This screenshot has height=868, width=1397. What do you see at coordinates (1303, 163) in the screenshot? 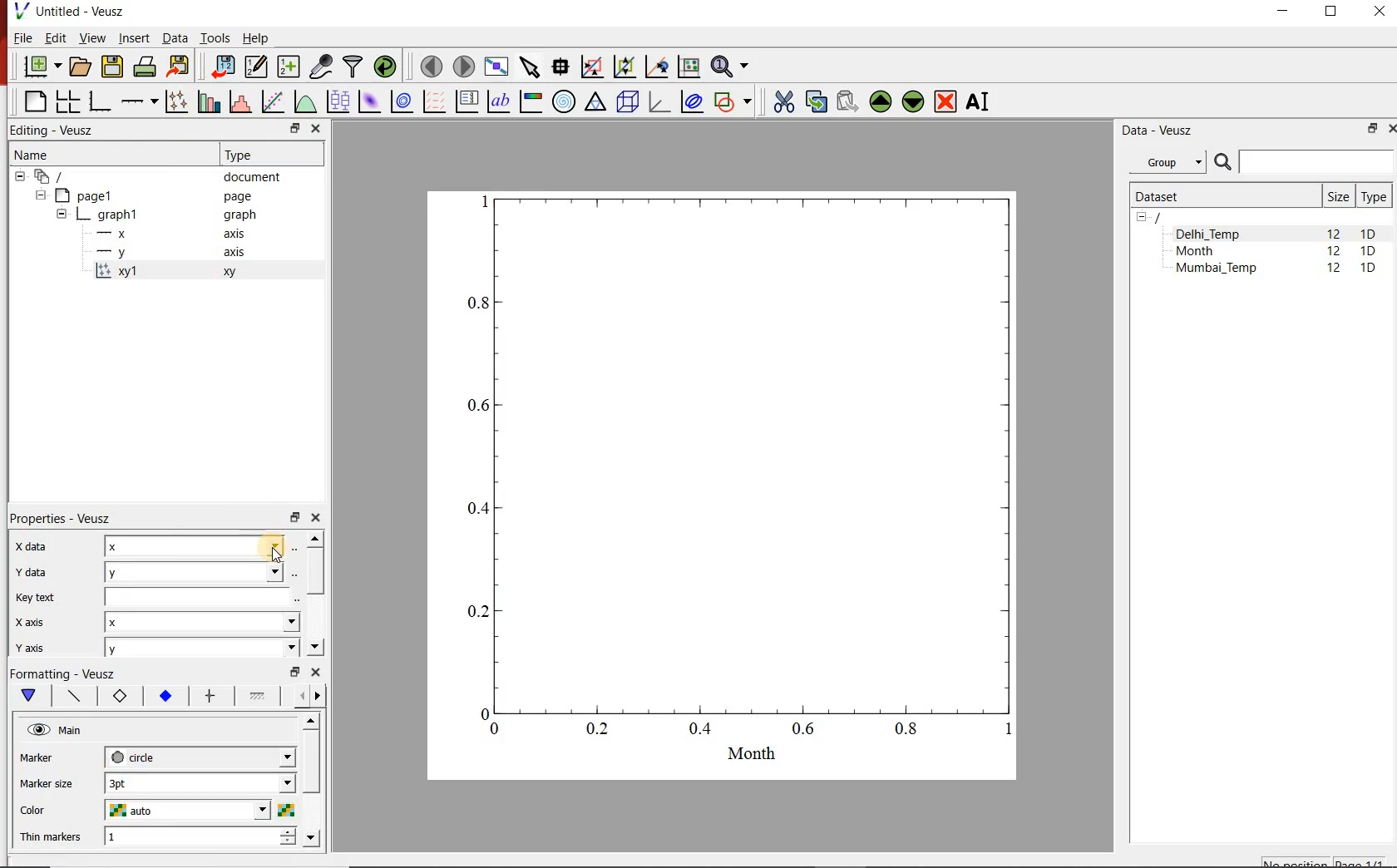
I see `SEARCH DATASETS` at bounding box center [1303, 163].